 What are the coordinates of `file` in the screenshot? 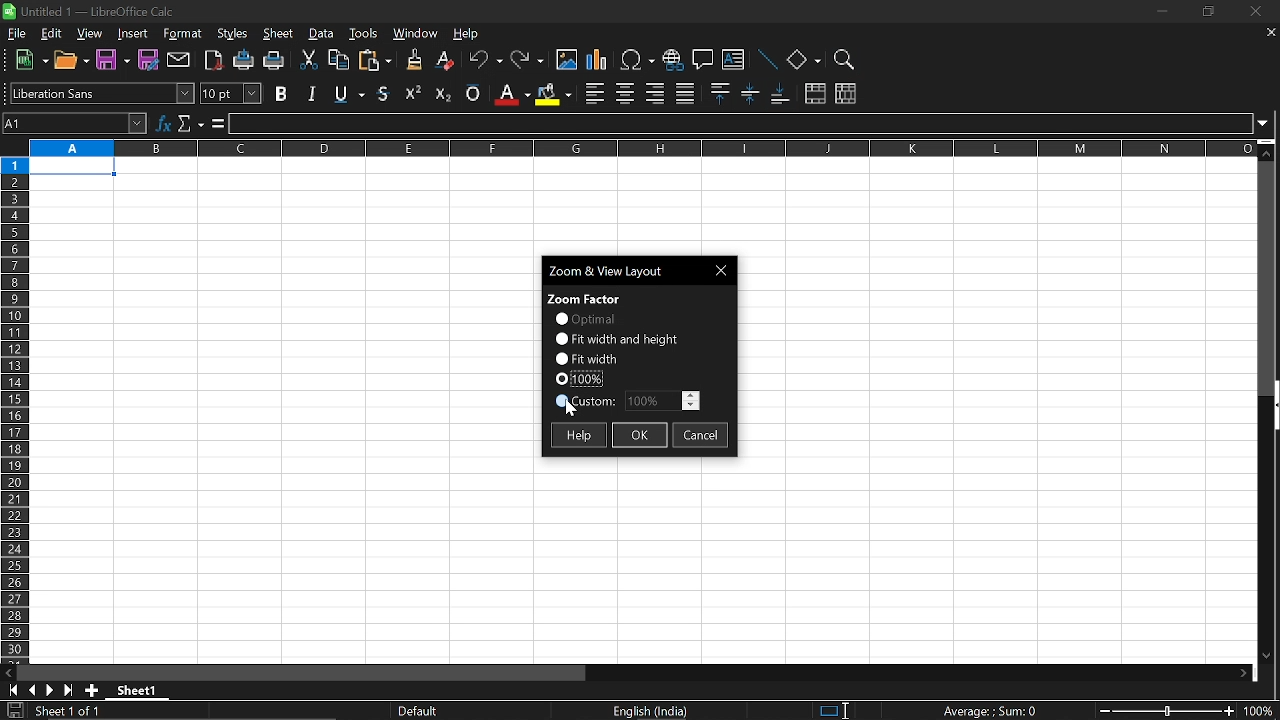 It's located at (18, 34).